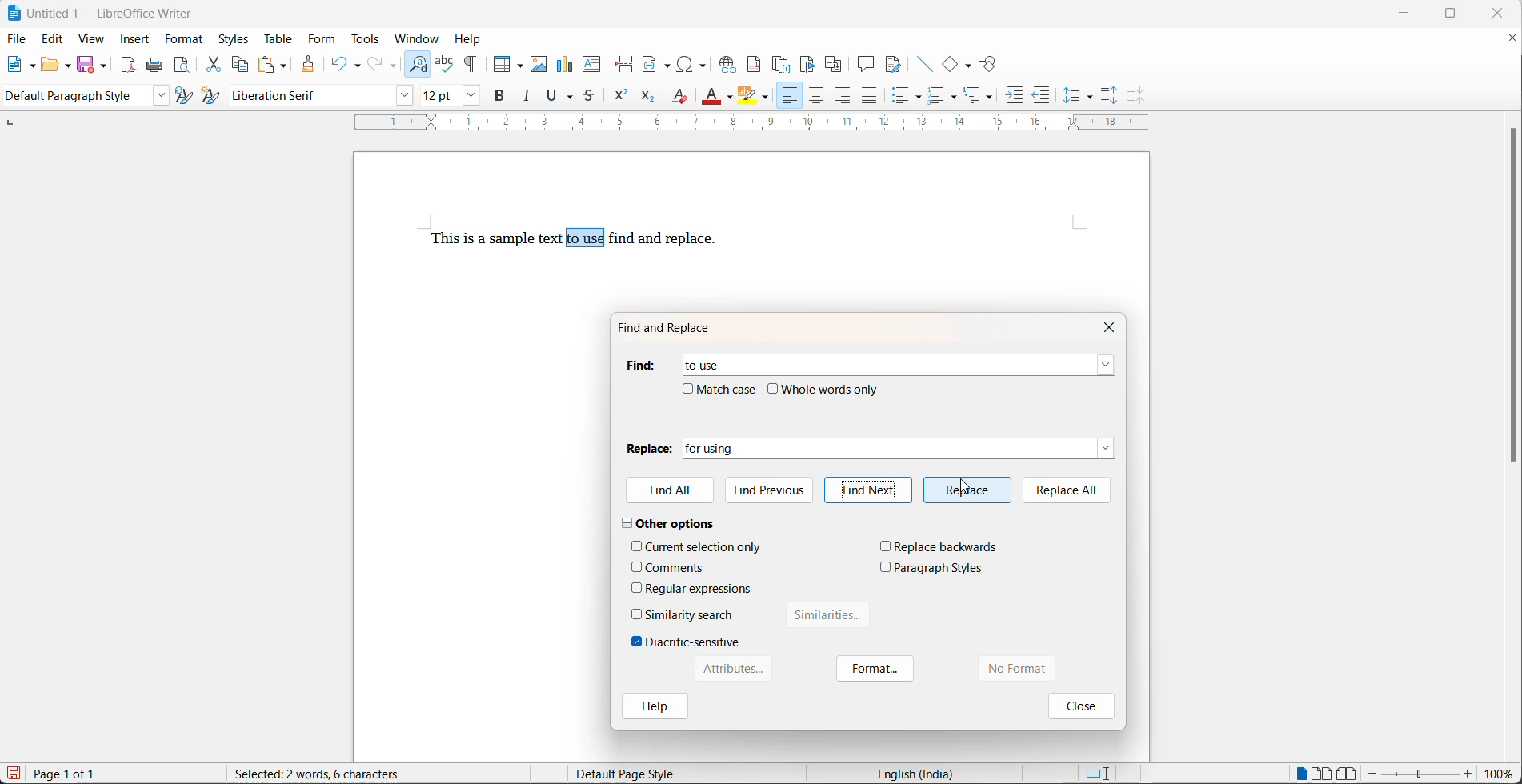  What do you see at coordinates (788, 96) in the screenshot?
I see `text align left` at bounding box center [788, 96].